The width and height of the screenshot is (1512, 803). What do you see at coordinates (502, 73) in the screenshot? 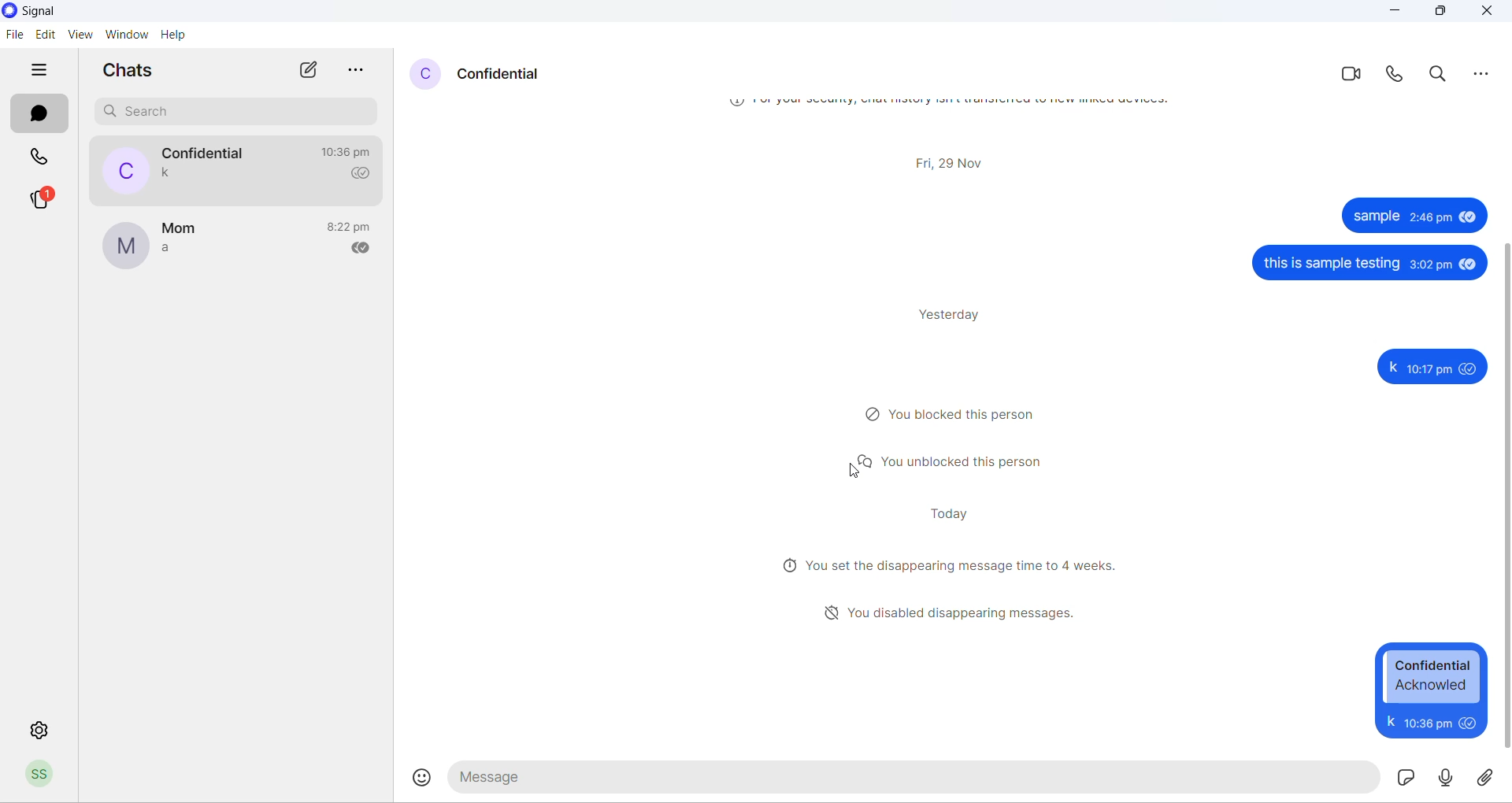
I see `contact name` at bounding box center [502, 73].